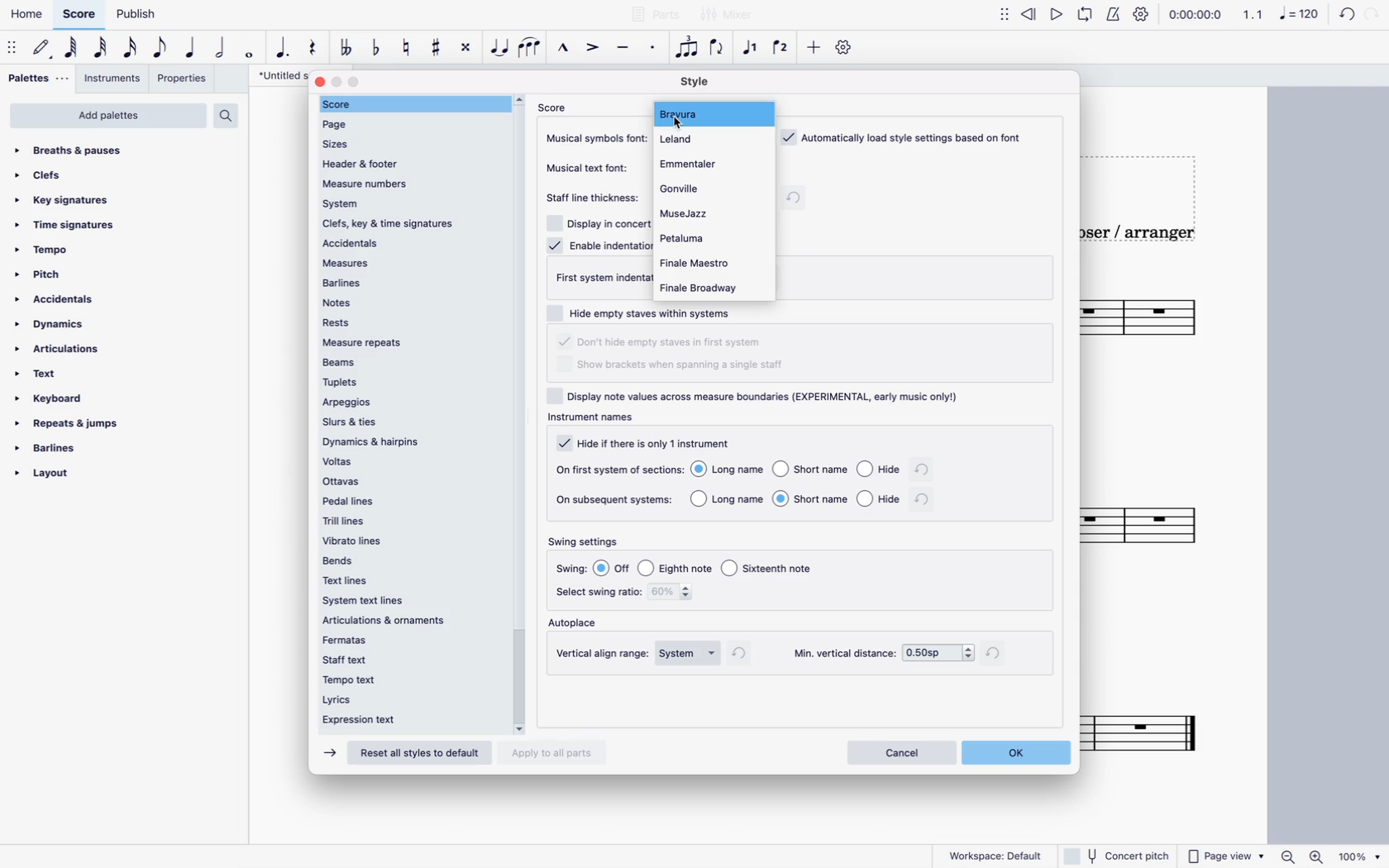 The image size is (1389, 868). What do you see at coordinates (70, 49) in the screenshot?
I see `note` at bounding box center [70, 49].